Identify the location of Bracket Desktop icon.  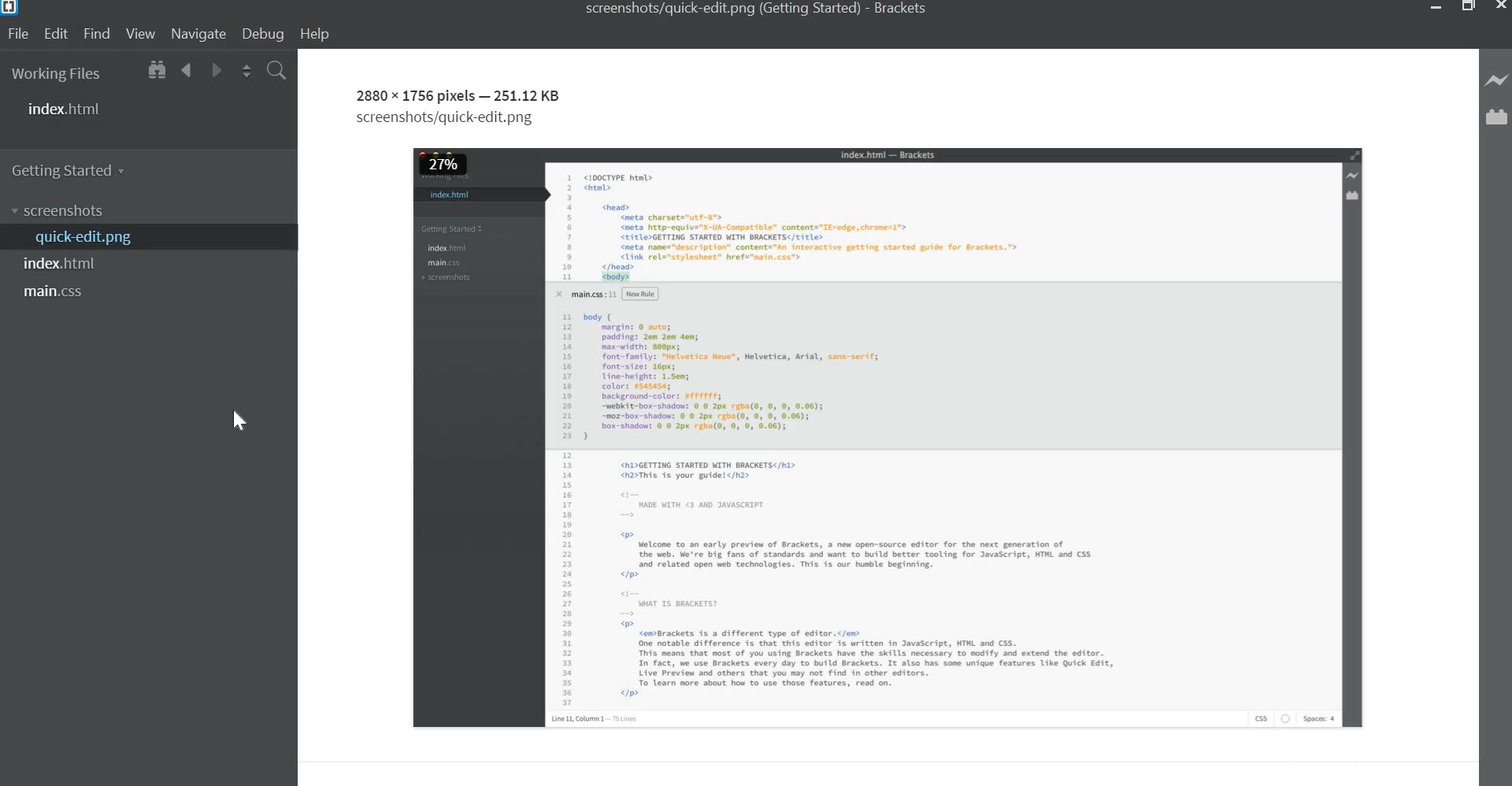
(11, 10).